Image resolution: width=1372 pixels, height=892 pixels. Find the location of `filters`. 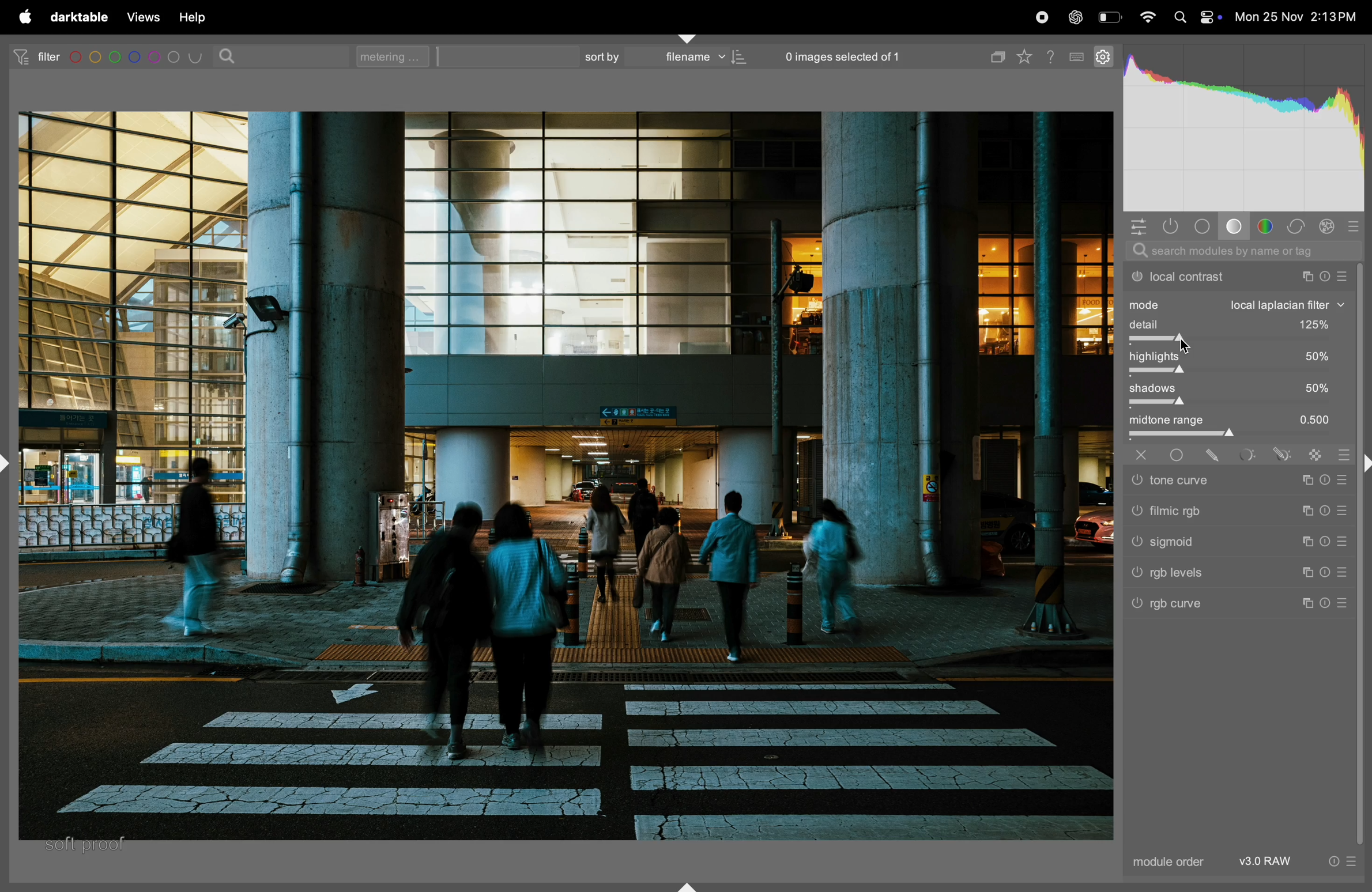

filters is located at coordinates (138, 58).